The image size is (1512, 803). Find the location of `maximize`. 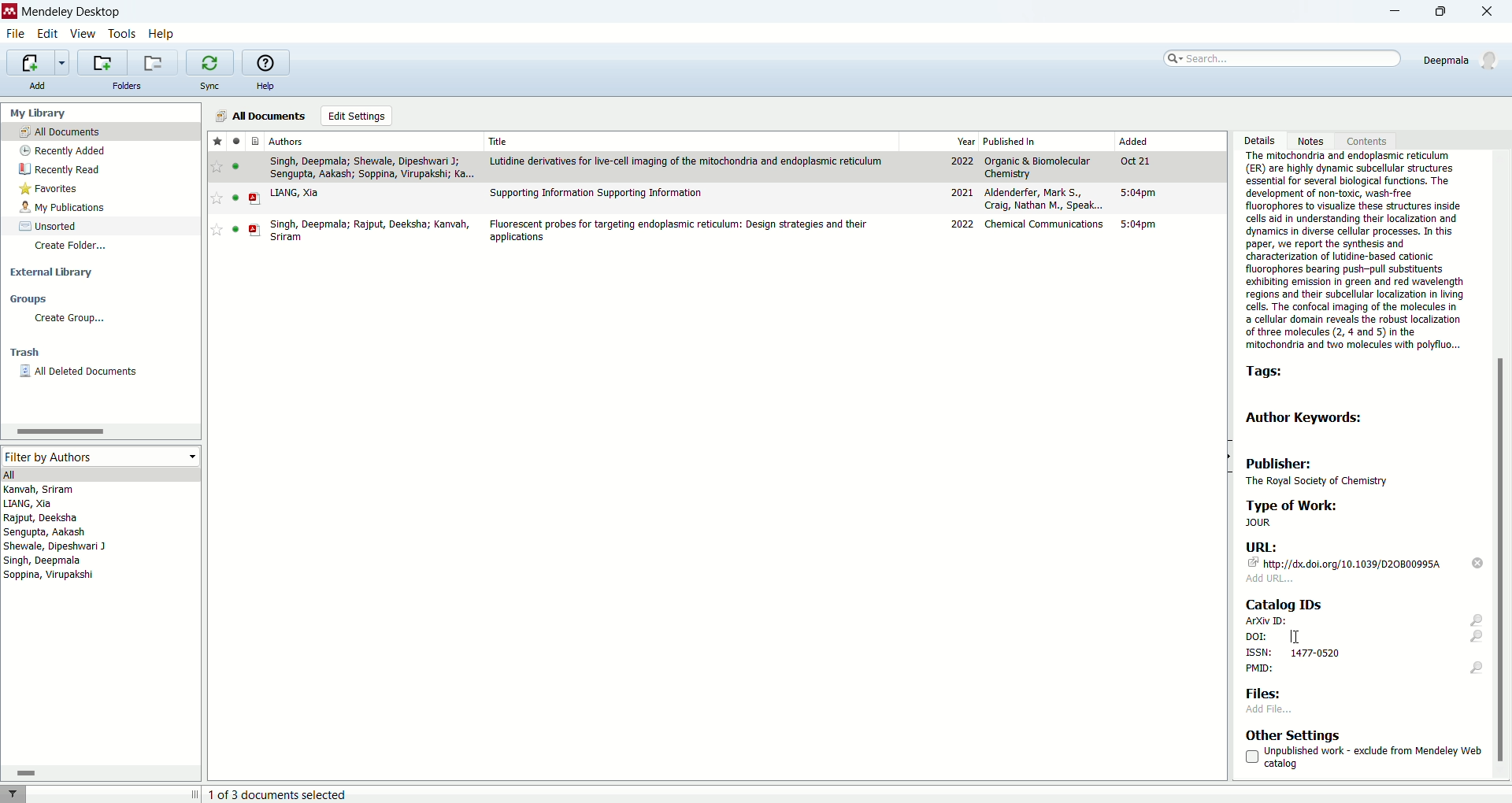

maximize is located at coordinates (1447, 11).